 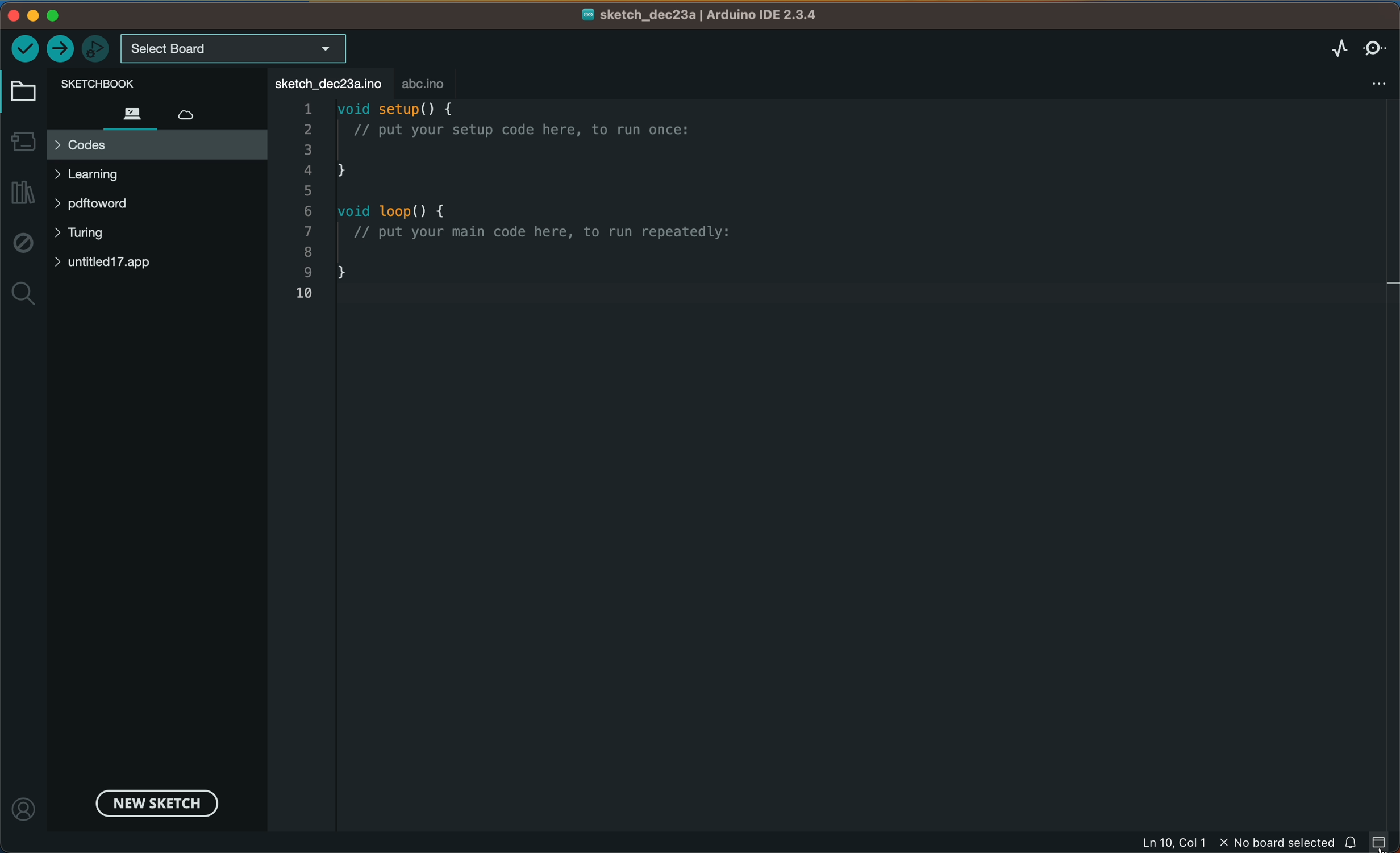 What do you see at coordinates (22, 192) in the screenshot?
I see `library manager` at bounding box center [22, 192].